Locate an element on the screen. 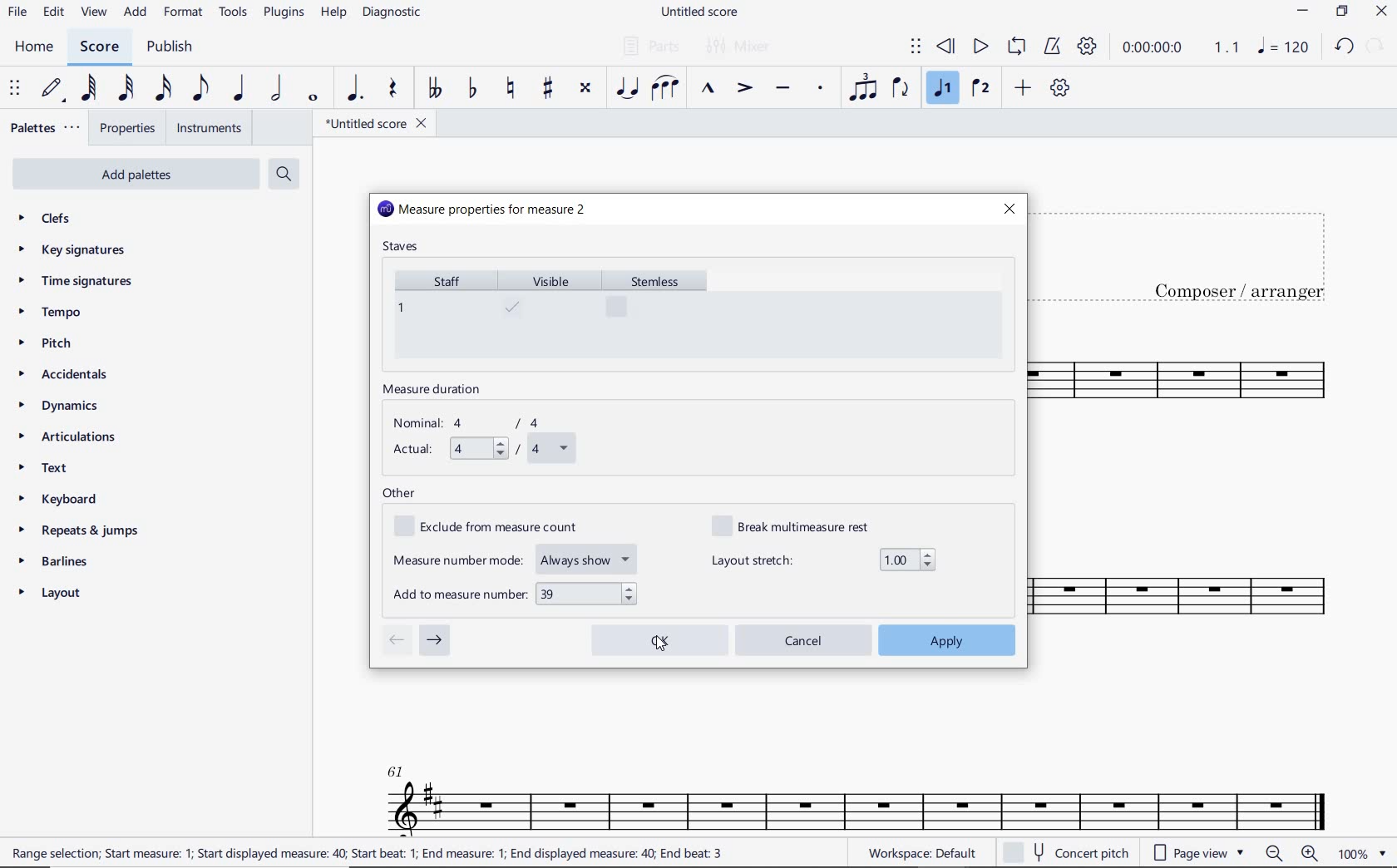 The width and height of the screenshot is (1397, 868). 16TH NOTE is located at coordinates (161, 89).